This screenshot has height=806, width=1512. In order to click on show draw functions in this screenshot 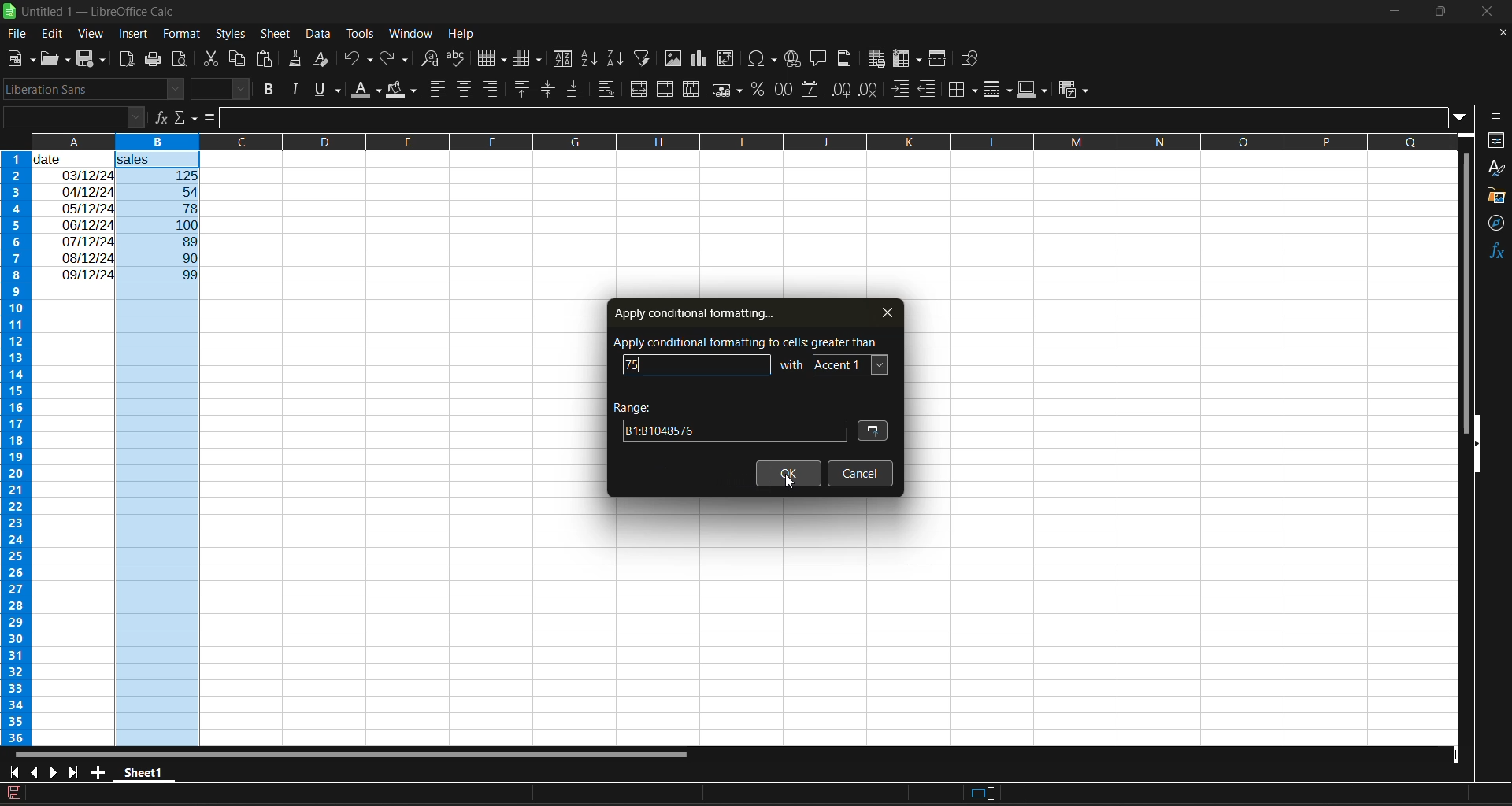, I will do `click(973, 59)`.